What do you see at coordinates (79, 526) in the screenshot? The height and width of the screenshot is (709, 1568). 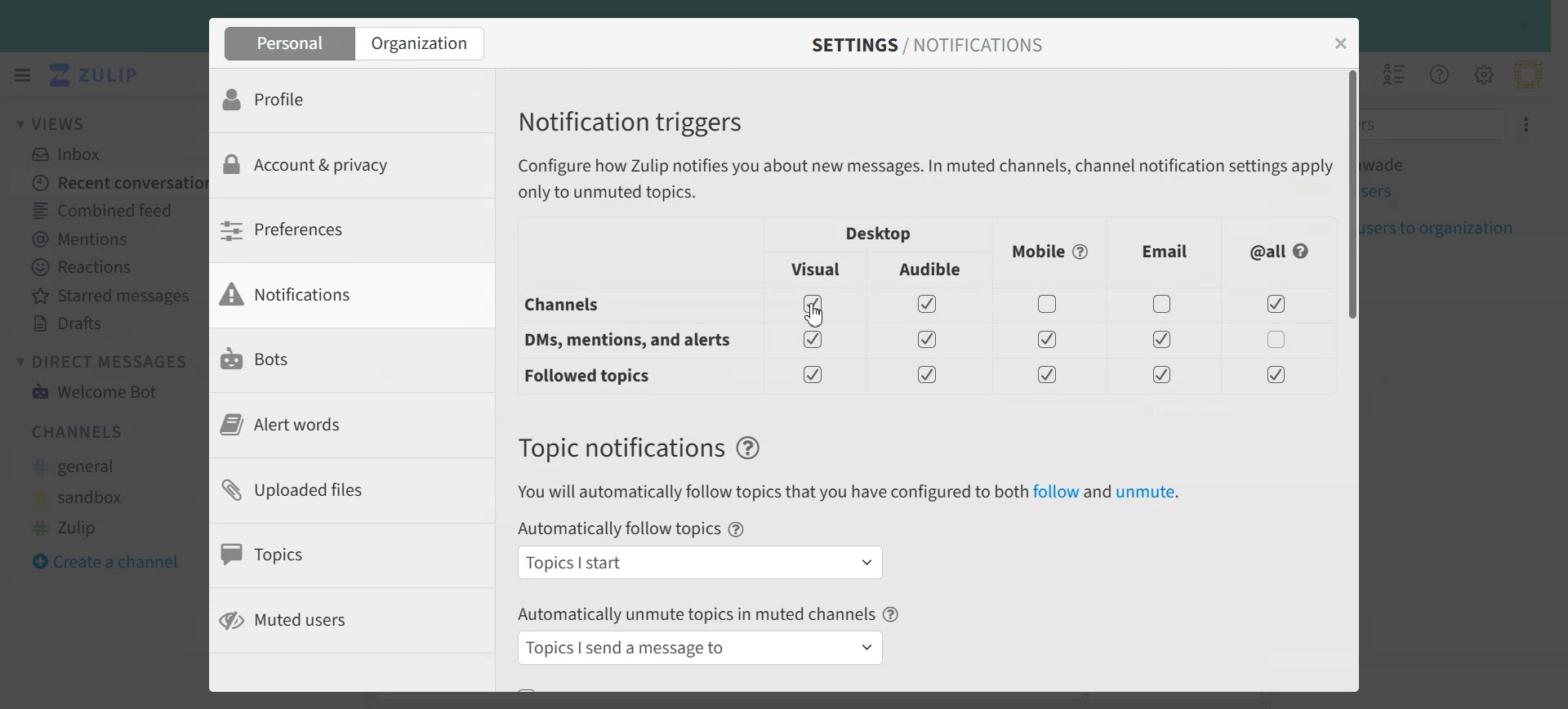 I see `#Zulip` at bounding box center [79, 526].